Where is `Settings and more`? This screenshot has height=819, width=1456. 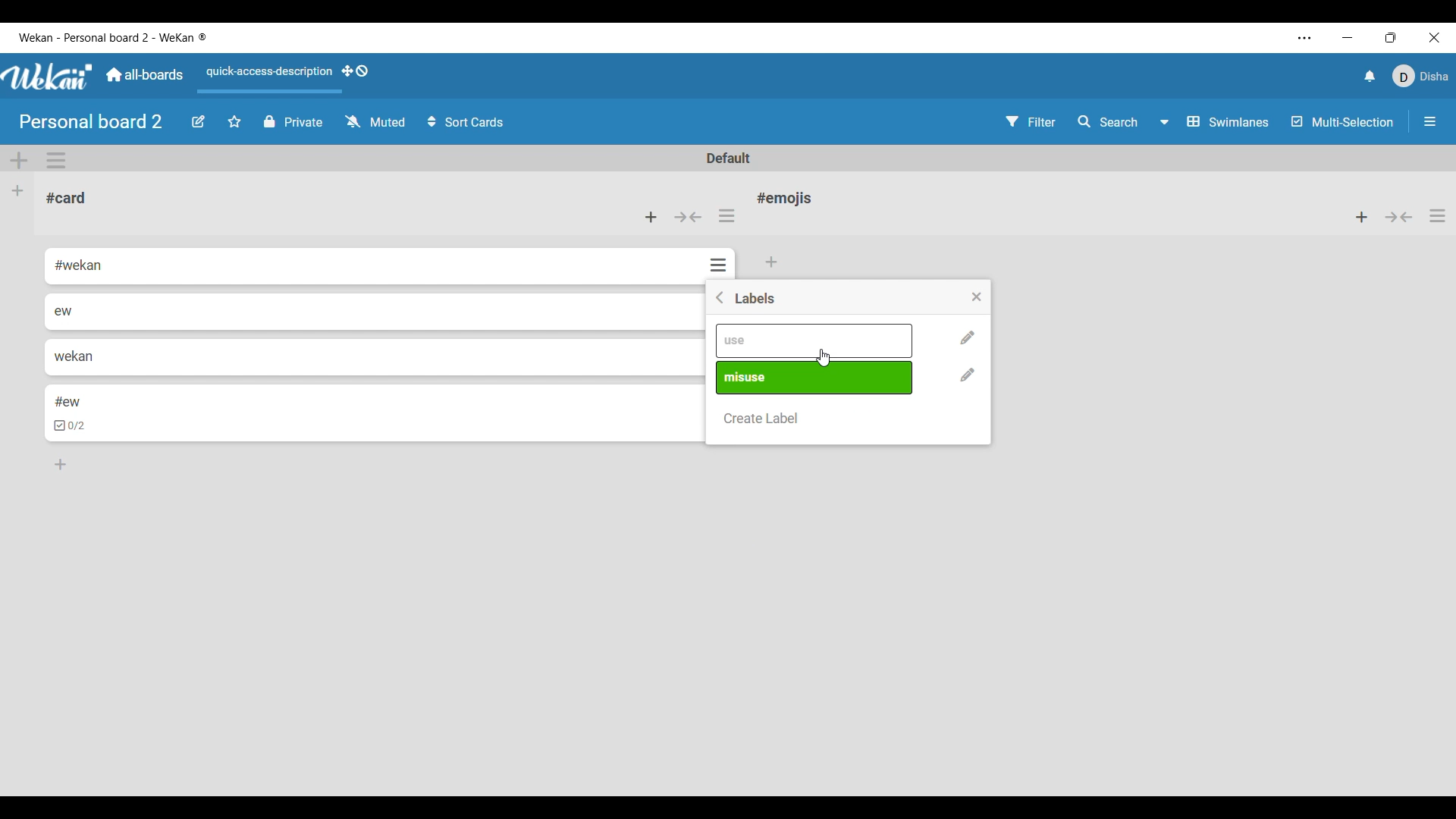 Settings and more is located at coordinates (1305, 38).